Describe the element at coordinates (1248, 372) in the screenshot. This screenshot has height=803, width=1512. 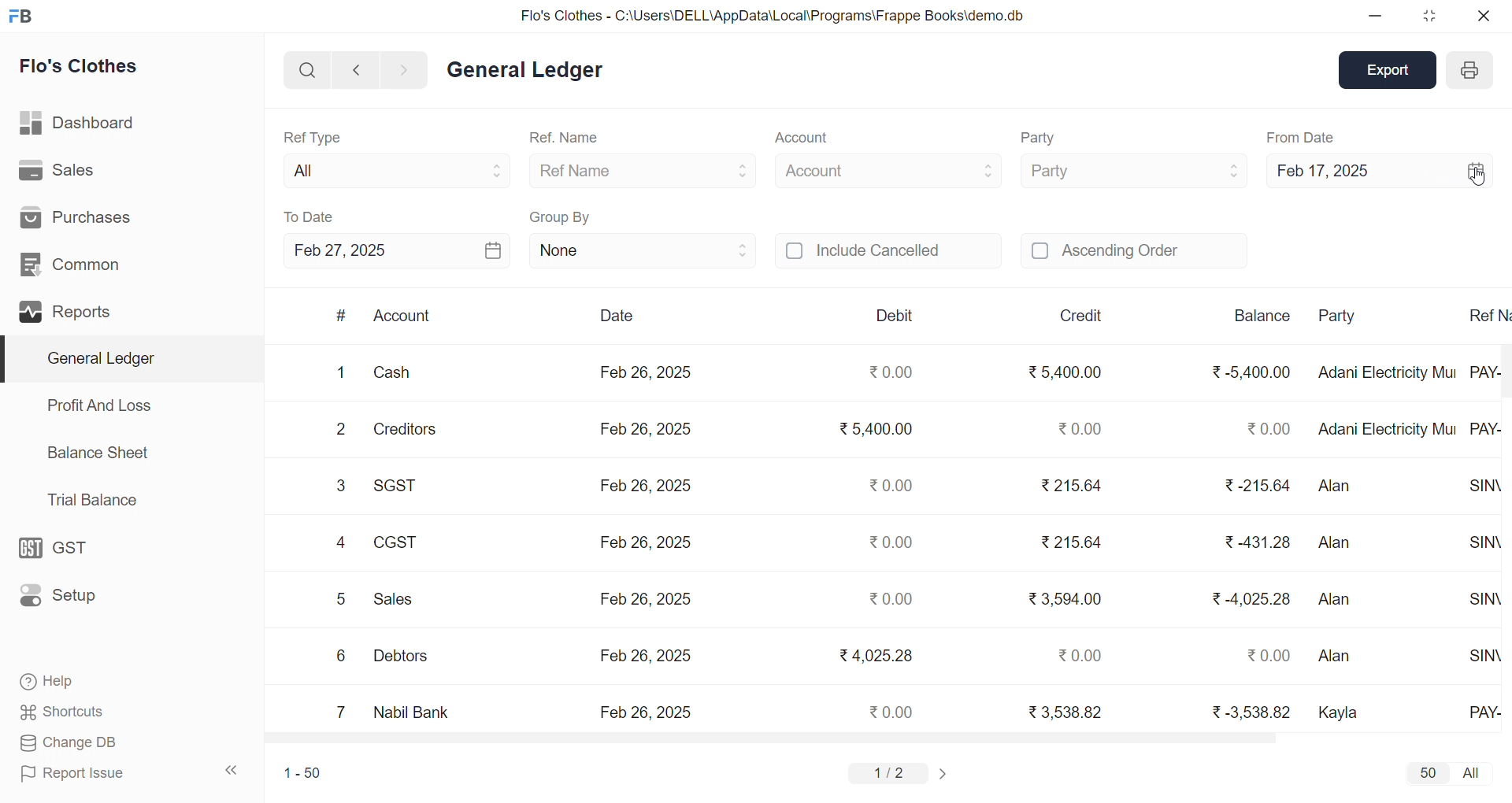
I see `₹ -5,400.00` at that location.